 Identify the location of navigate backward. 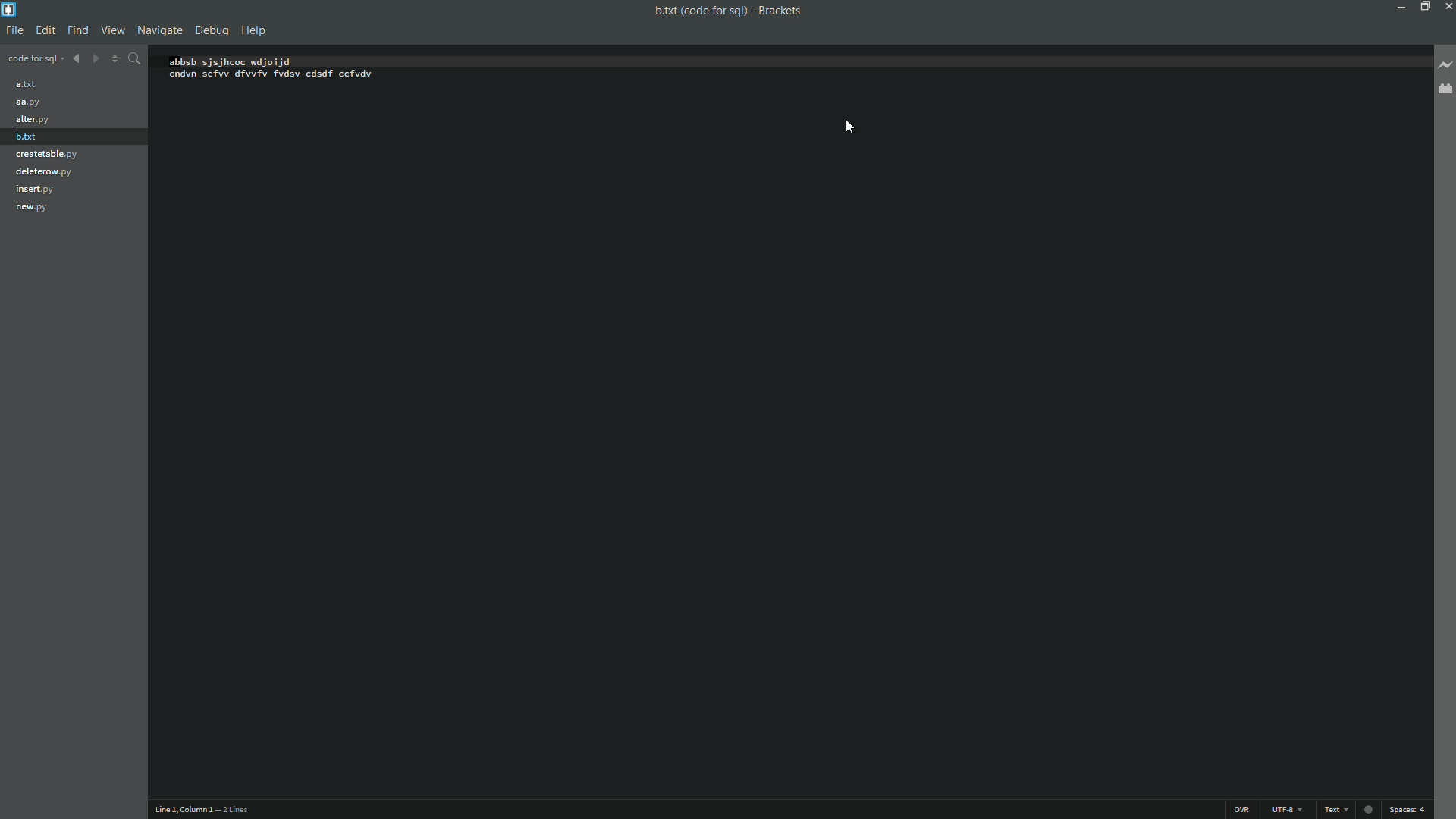
(77, 58).